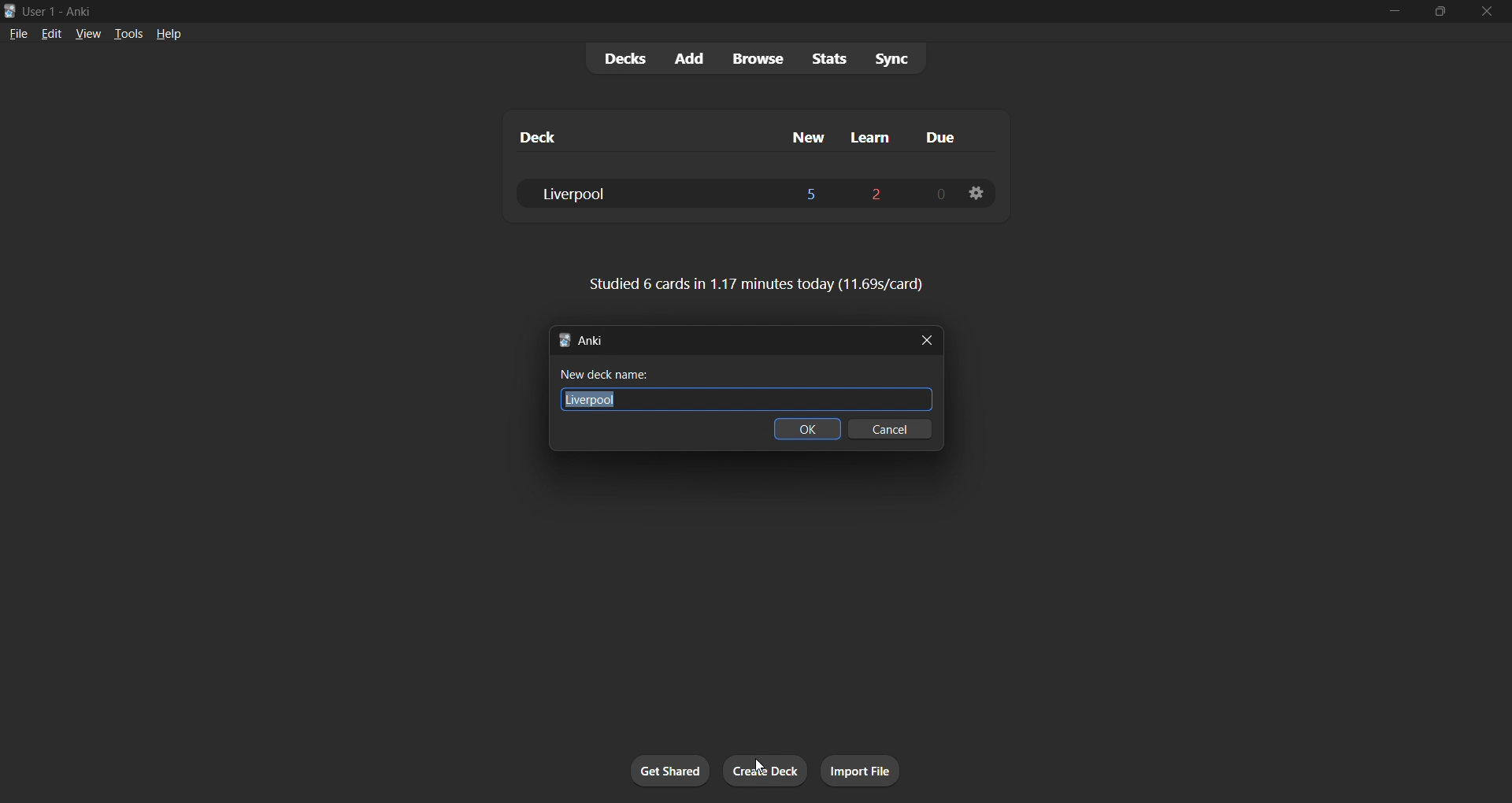 The height and width of the screenshot is (803, 1512). What do you see at coordinates (1432, 13) in the screenshot?
I see `maximize/restore` at bounding box center [1432, 13].